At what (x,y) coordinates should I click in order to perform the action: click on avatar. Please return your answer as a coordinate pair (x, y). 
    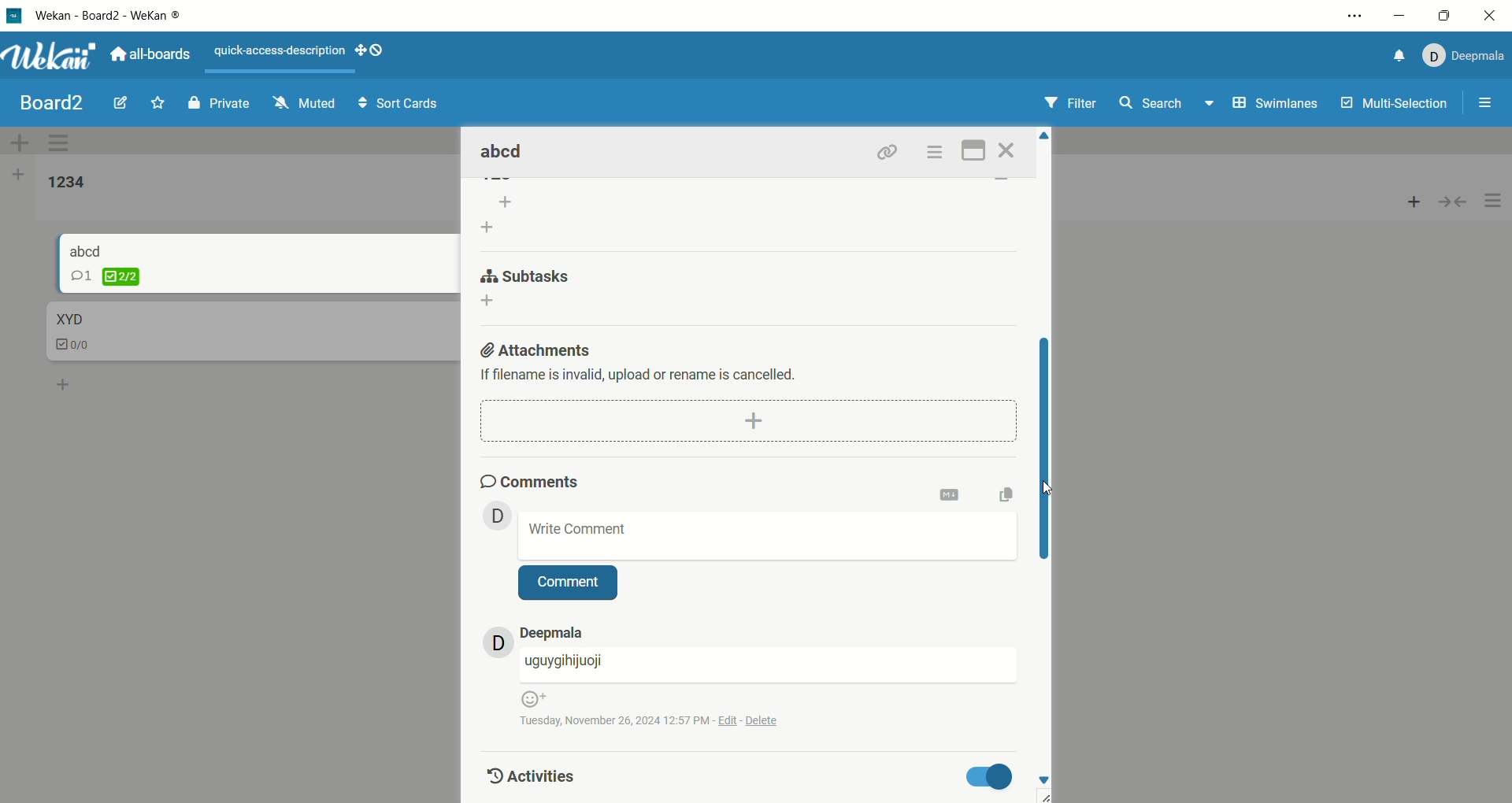
    Looking at the image, I should click on (498, 515).